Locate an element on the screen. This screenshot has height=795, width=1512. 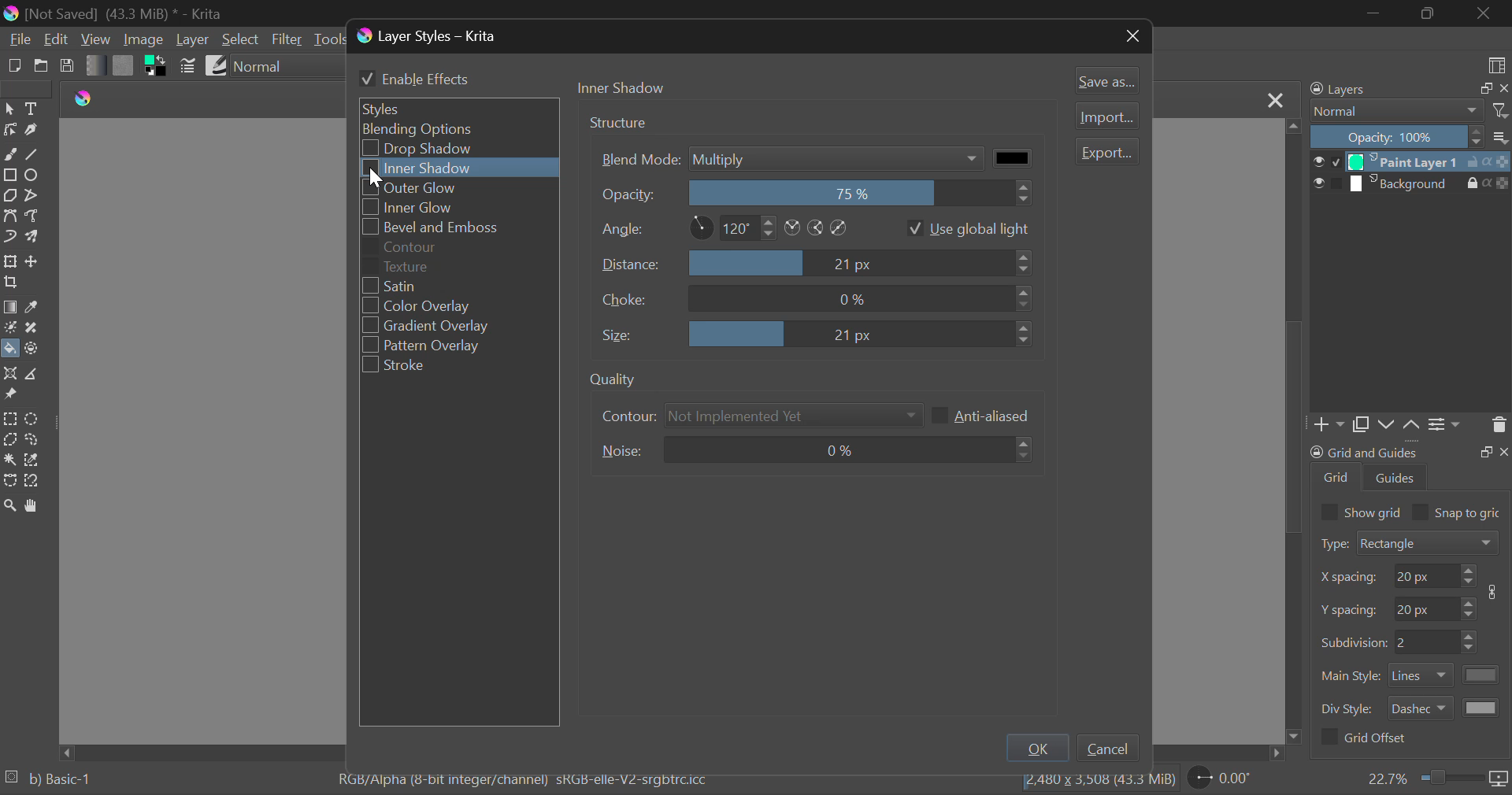
Close is located at coordinates (1484, 13).